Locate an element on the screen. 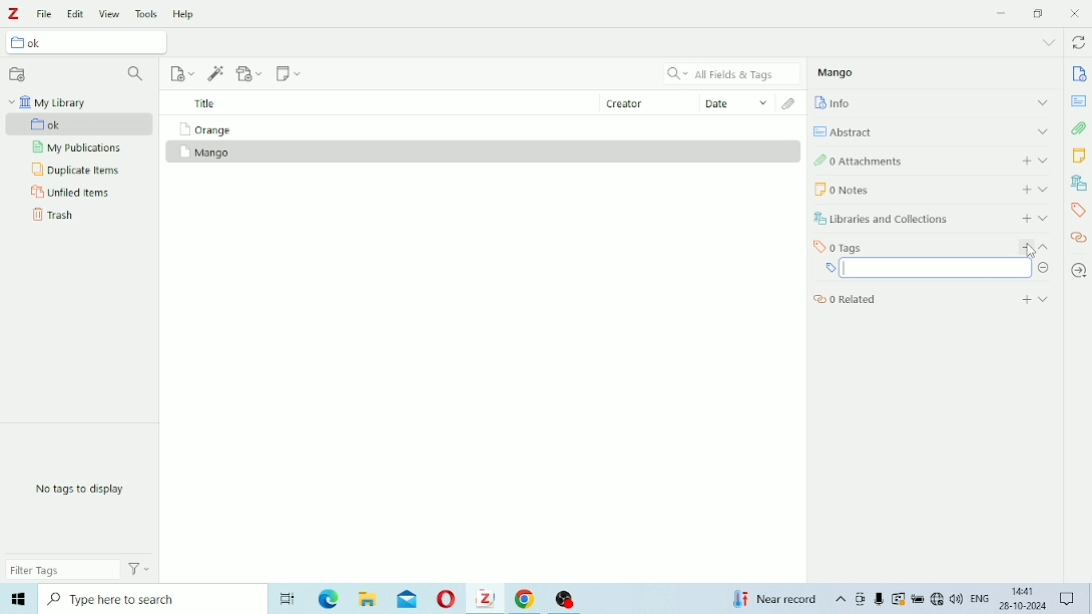 This screenshot has height=614, width=1092. OBS Studio is located at coordinates (572, 600).